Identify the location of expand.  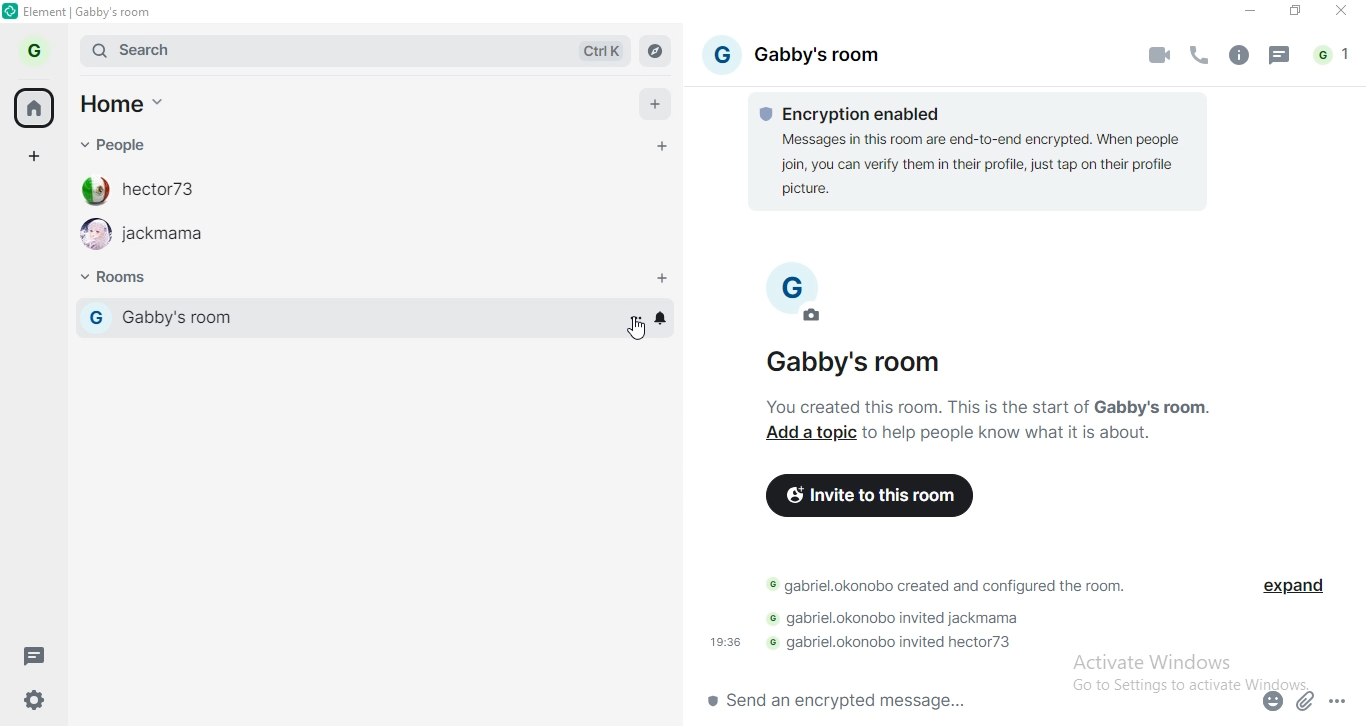
(1292, 586).